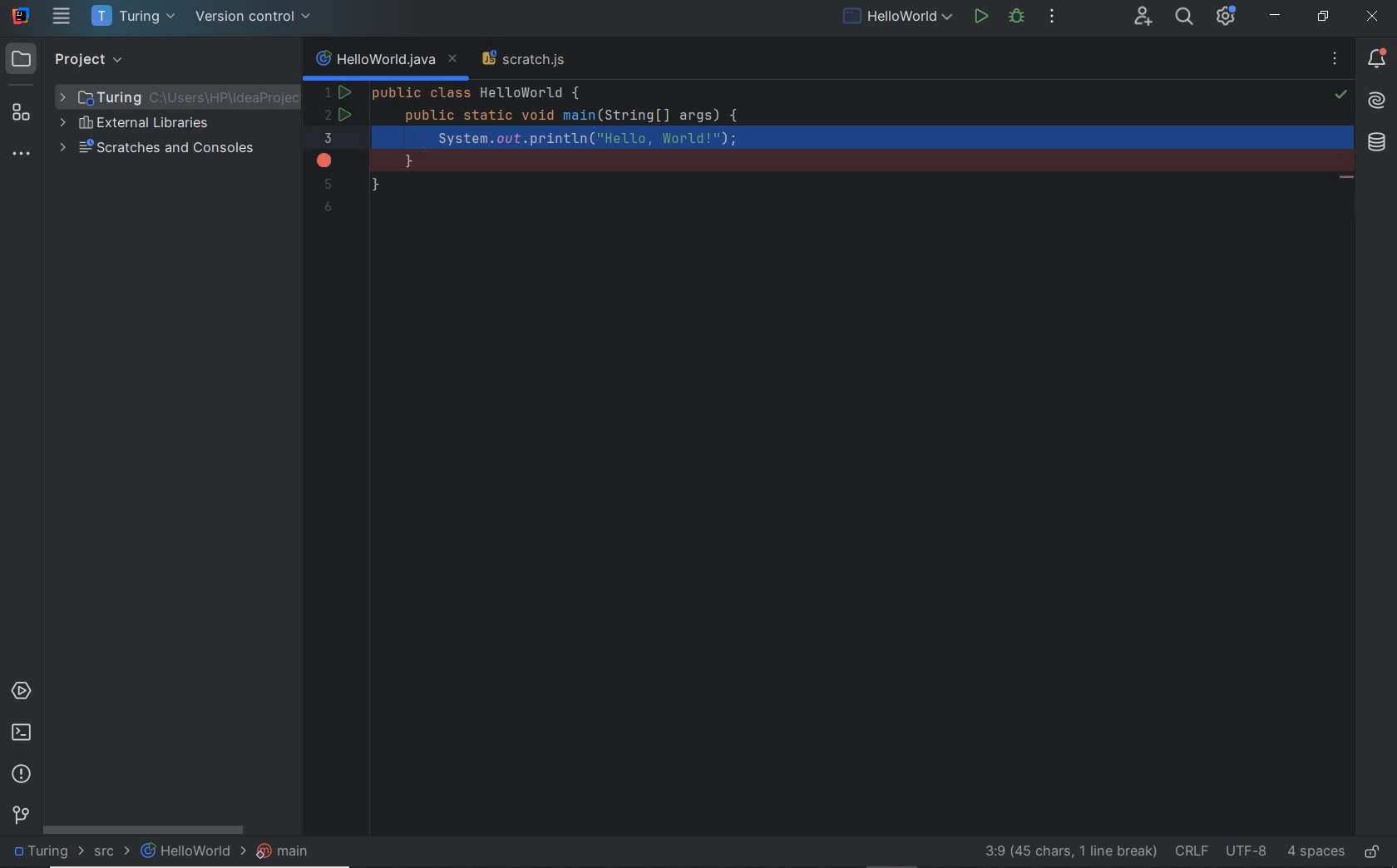 Image resolution: width=1397 pixels, height=868 pixels. What do you see at coordinates (1316, 850) in the screenshot?
I see `indent` at bounding box center [1316, 850].